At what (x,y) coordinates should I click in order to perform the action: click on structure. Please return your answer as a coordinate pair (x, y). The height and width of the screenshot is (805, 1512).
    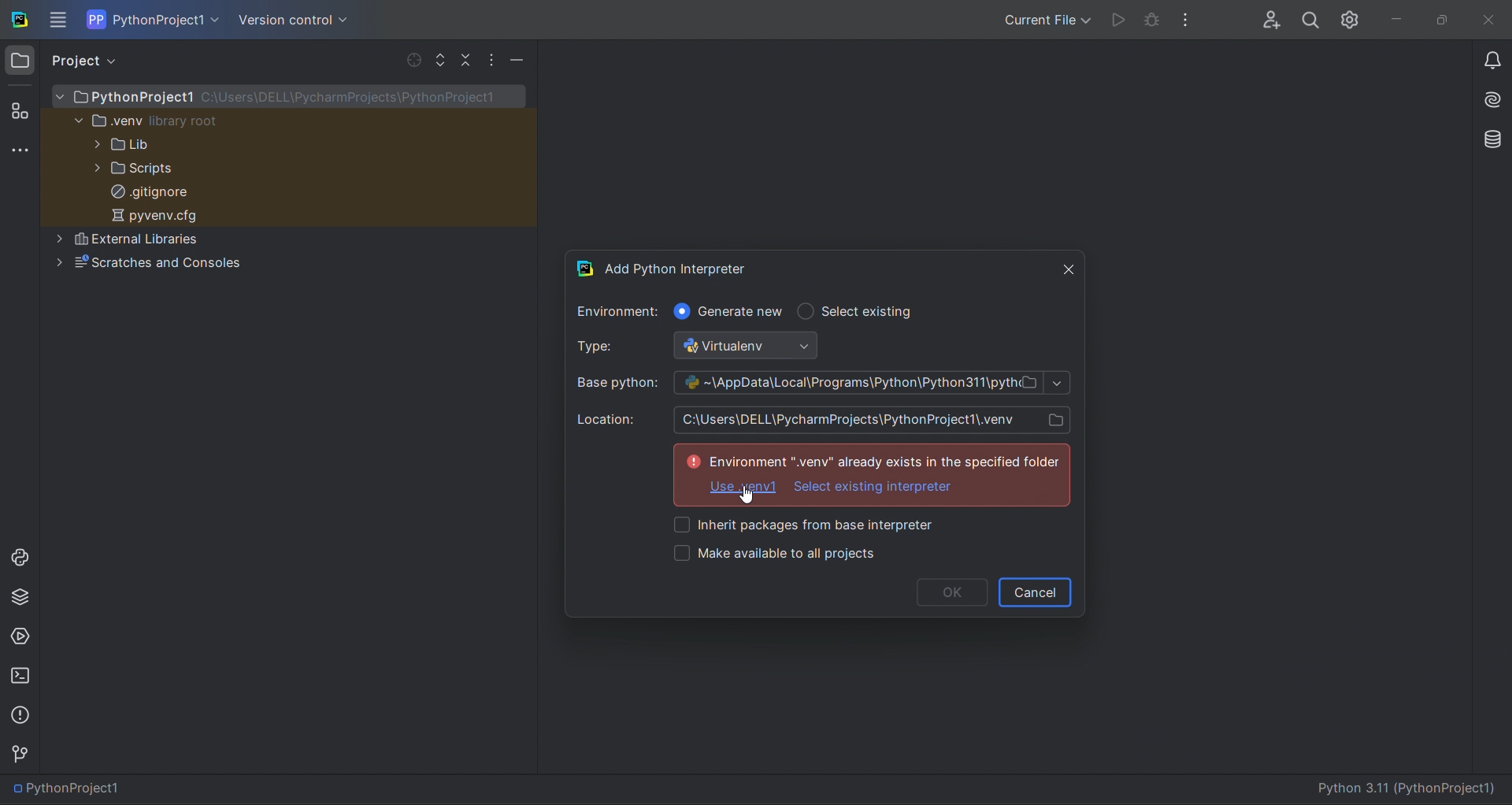
    Looking at the image, I should click on (19, 109).